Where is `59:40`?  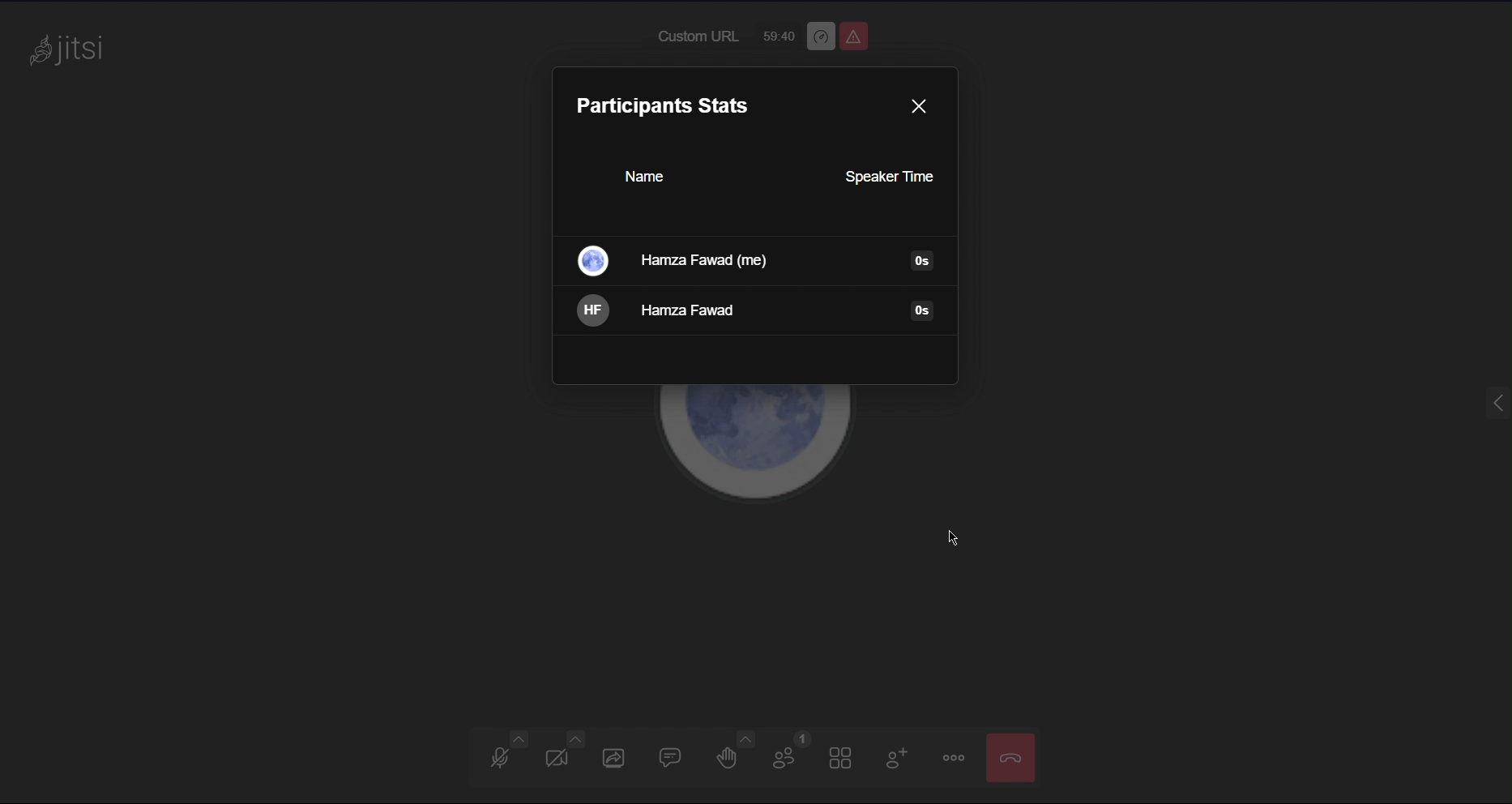
59:40 is located at coordinates (775, 33).